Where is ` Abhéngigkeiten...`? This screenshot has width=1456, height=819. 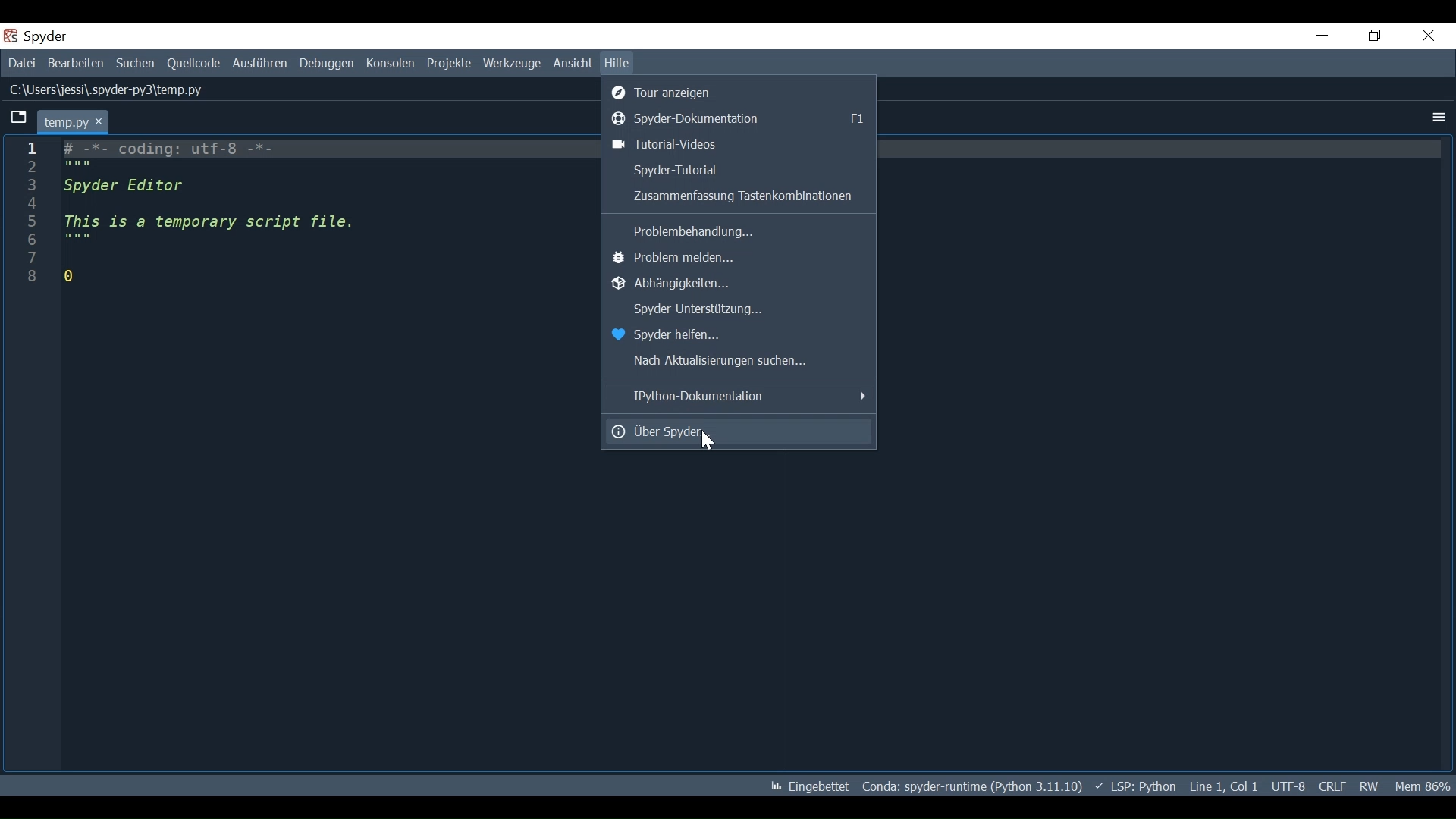  Abhéngigkeiten... is located at coordinates (714, 286).